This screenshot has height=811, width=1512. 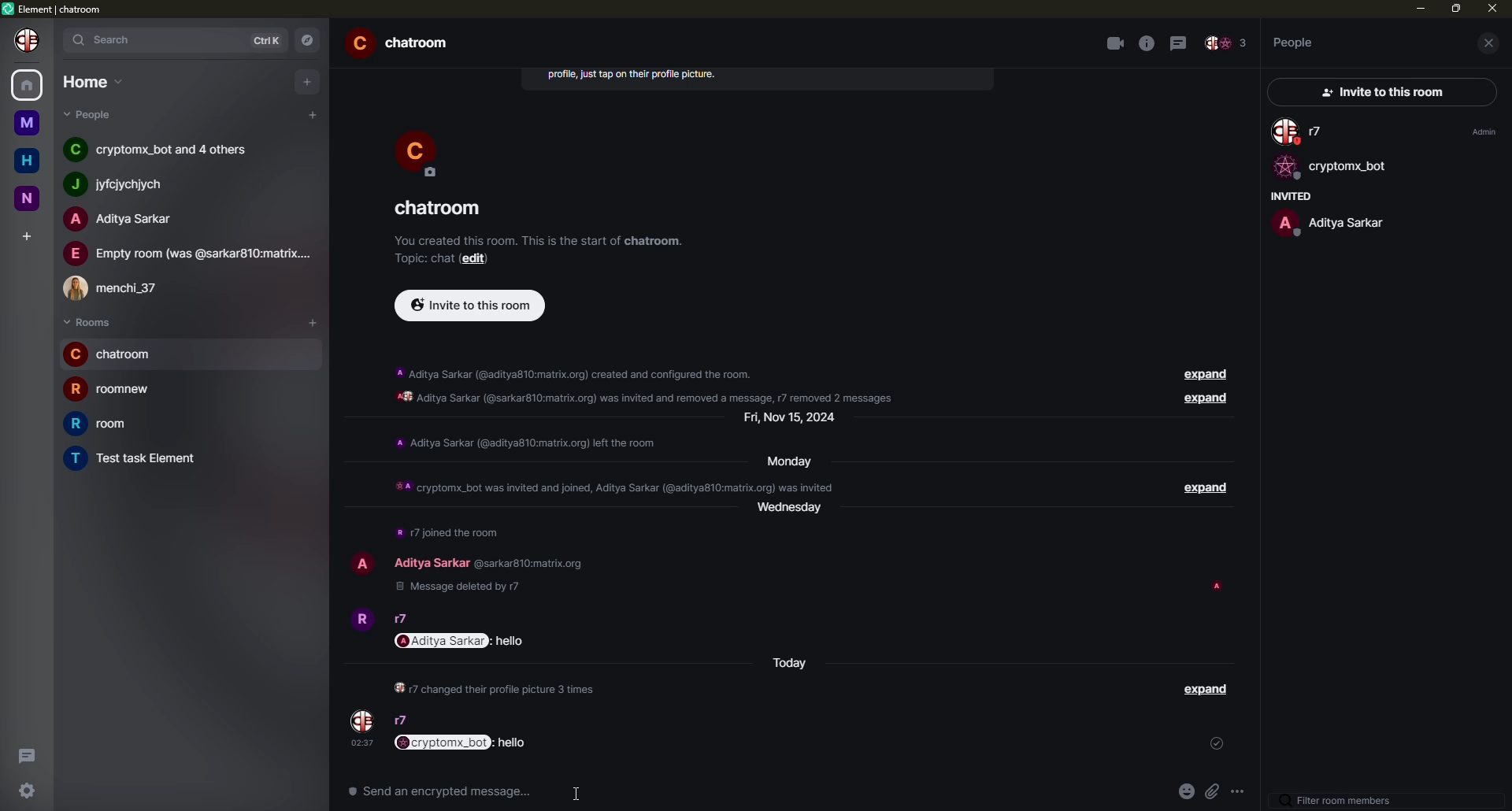 I want to click on mentioned, so click(x=399, y=791).